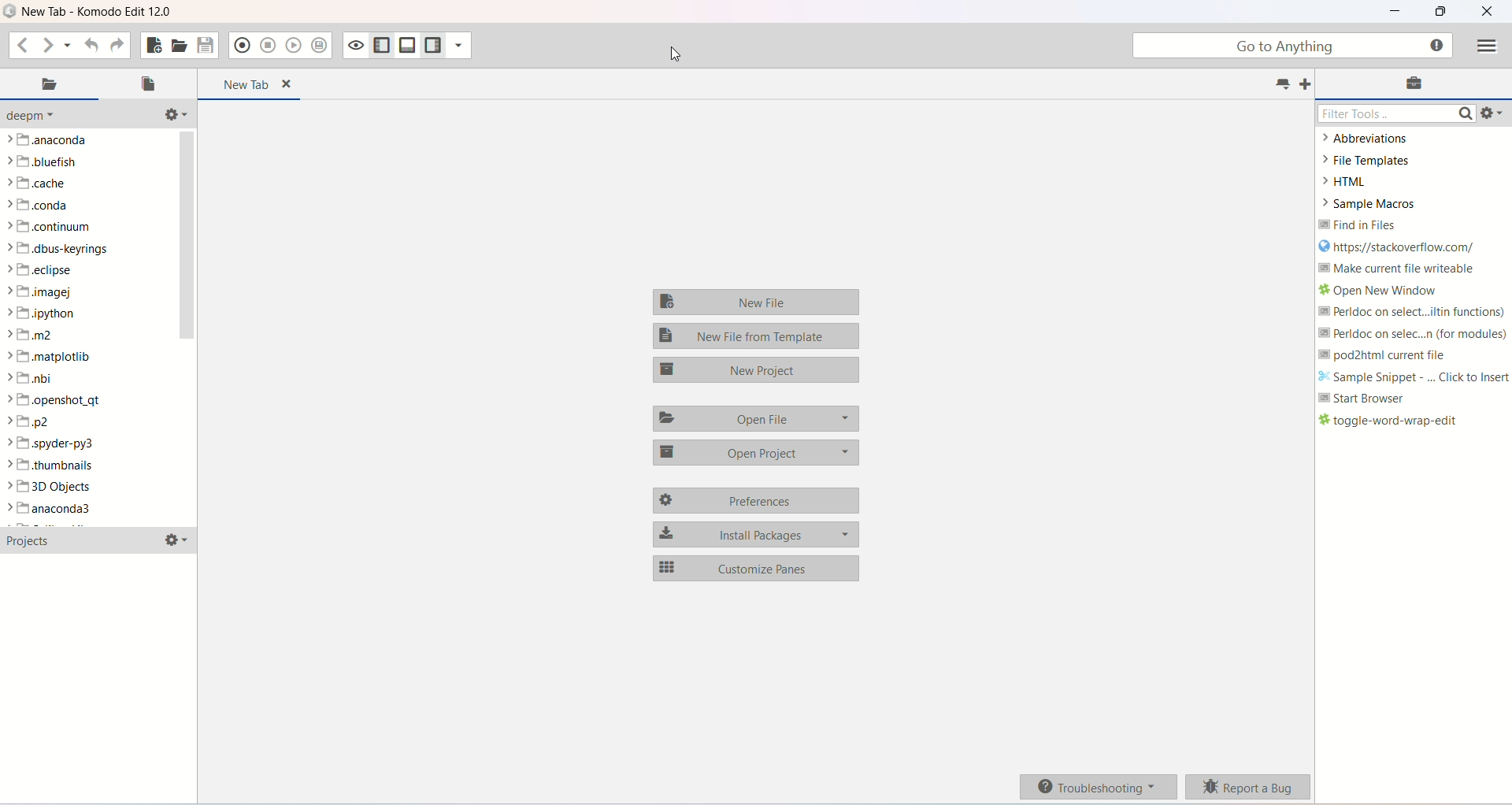 The image size is (1512, 805). Describe the element at coordinates (117, 45) in the screenshot. I see `redo` at that location.